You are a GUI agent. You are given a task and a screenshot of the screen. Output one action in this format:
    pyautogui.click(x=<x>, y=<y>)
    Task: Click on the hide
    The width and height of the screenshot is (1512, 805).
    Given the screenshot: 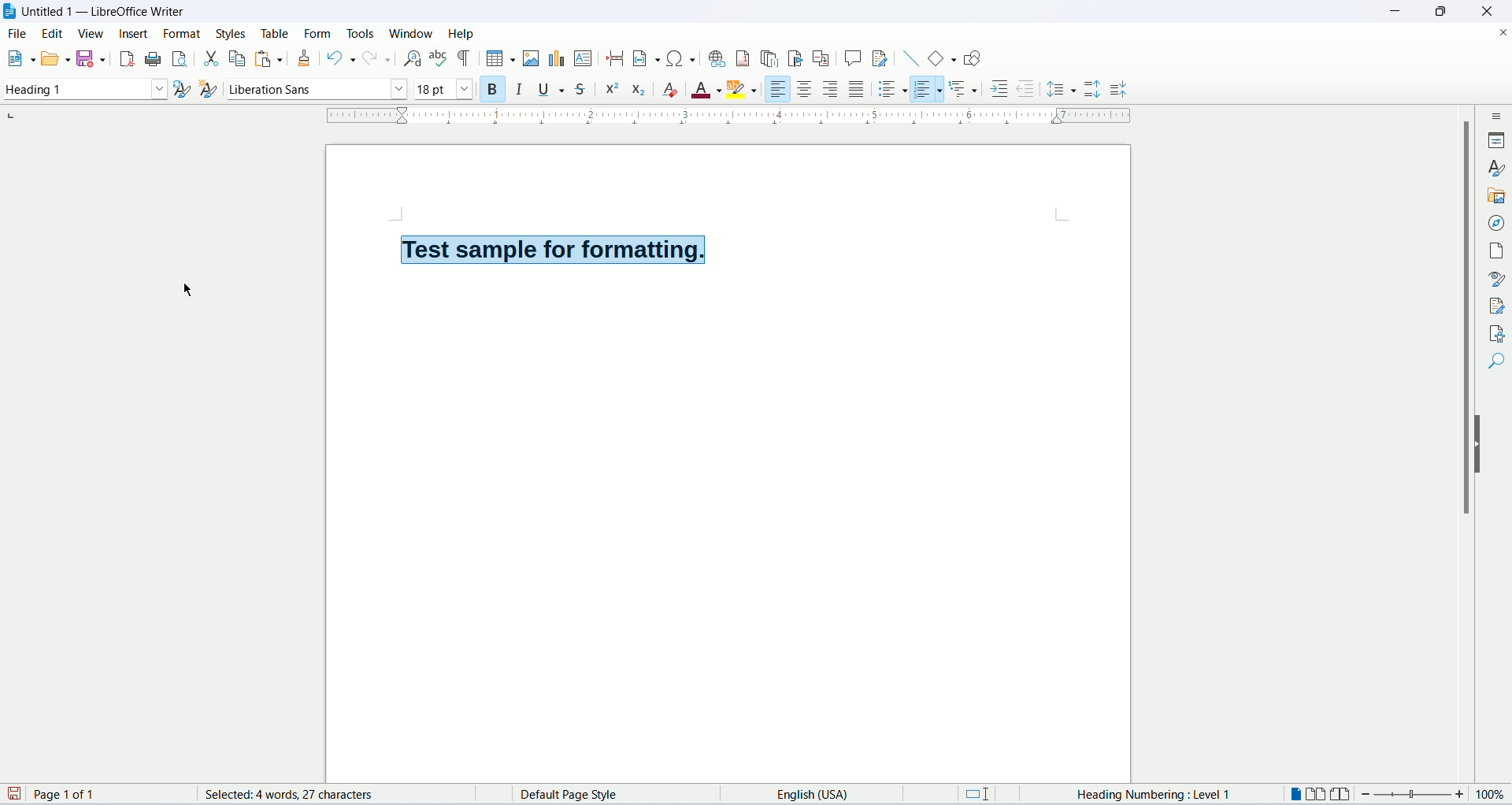 What is the action you would take?
    pyautogui.click(x=1480, y=446)
    